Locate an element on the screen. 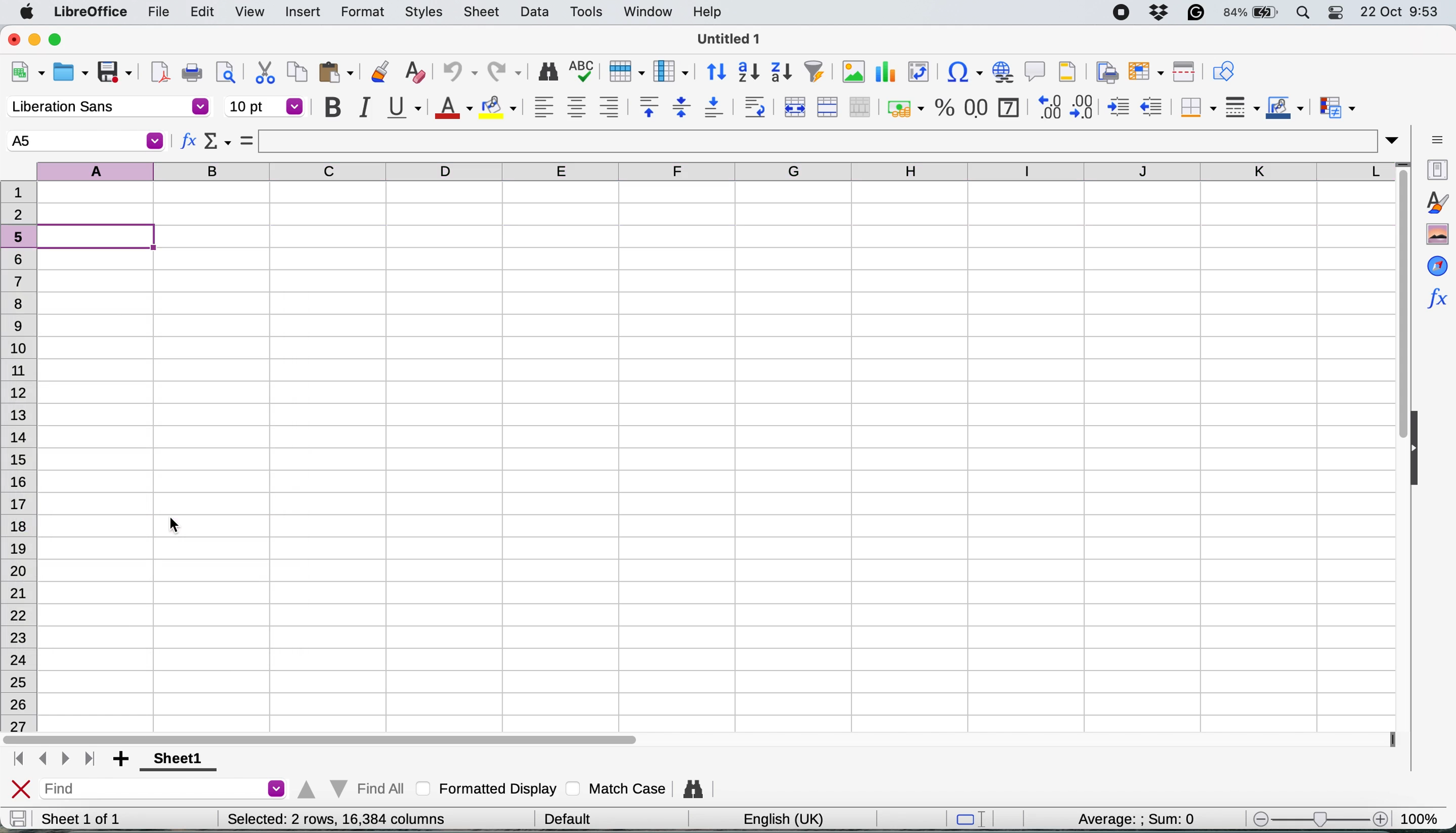 Image resolution: width=1456 pixels, height=833 pixels. copy is located at coordinates (298, 72).